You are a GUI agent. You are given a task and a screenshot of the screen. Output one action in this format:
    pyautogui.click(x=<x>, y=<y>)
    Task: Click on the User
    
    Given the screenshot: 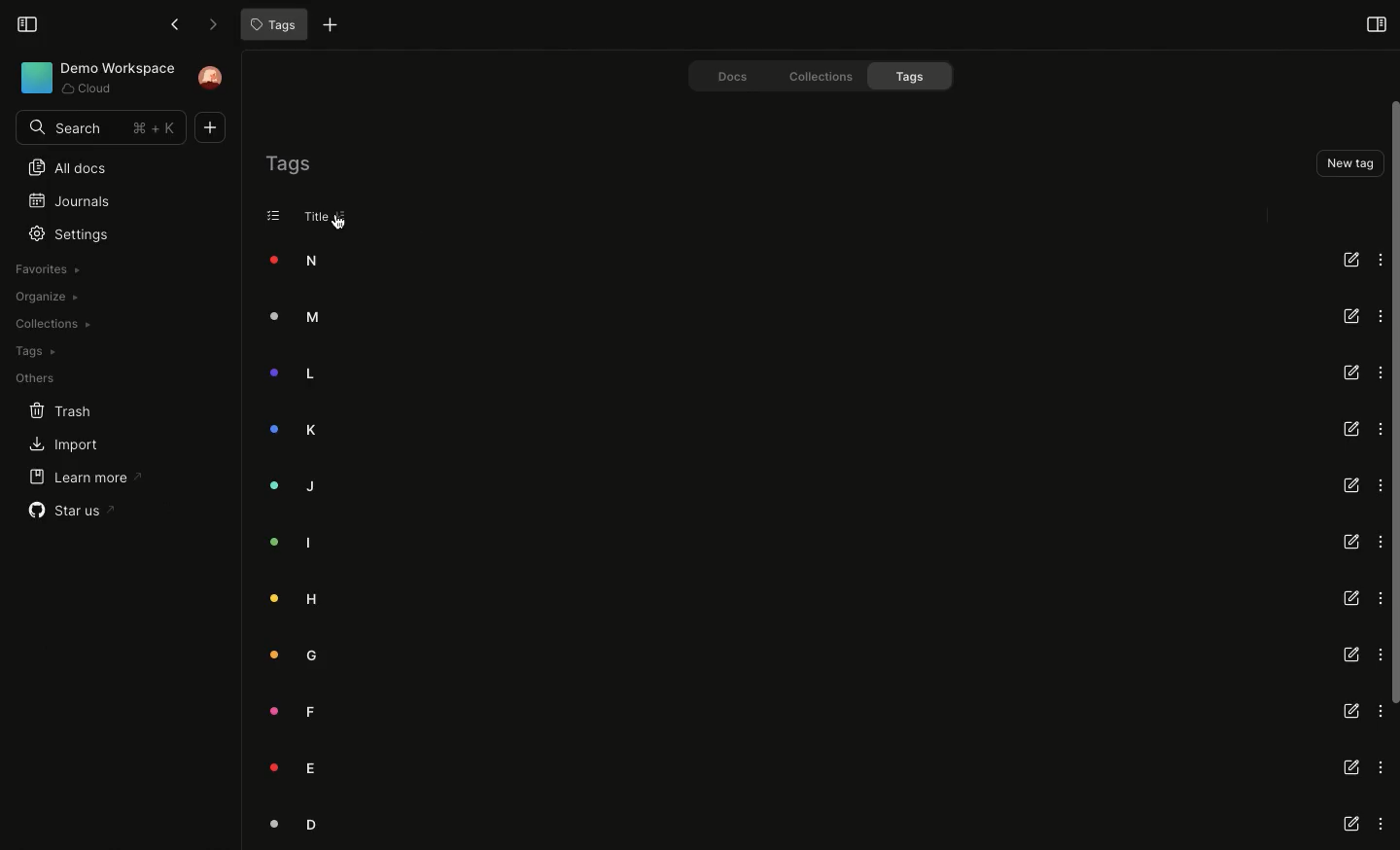 What is the action you would take?
    pyautogui.click(x=213, y=78)
    